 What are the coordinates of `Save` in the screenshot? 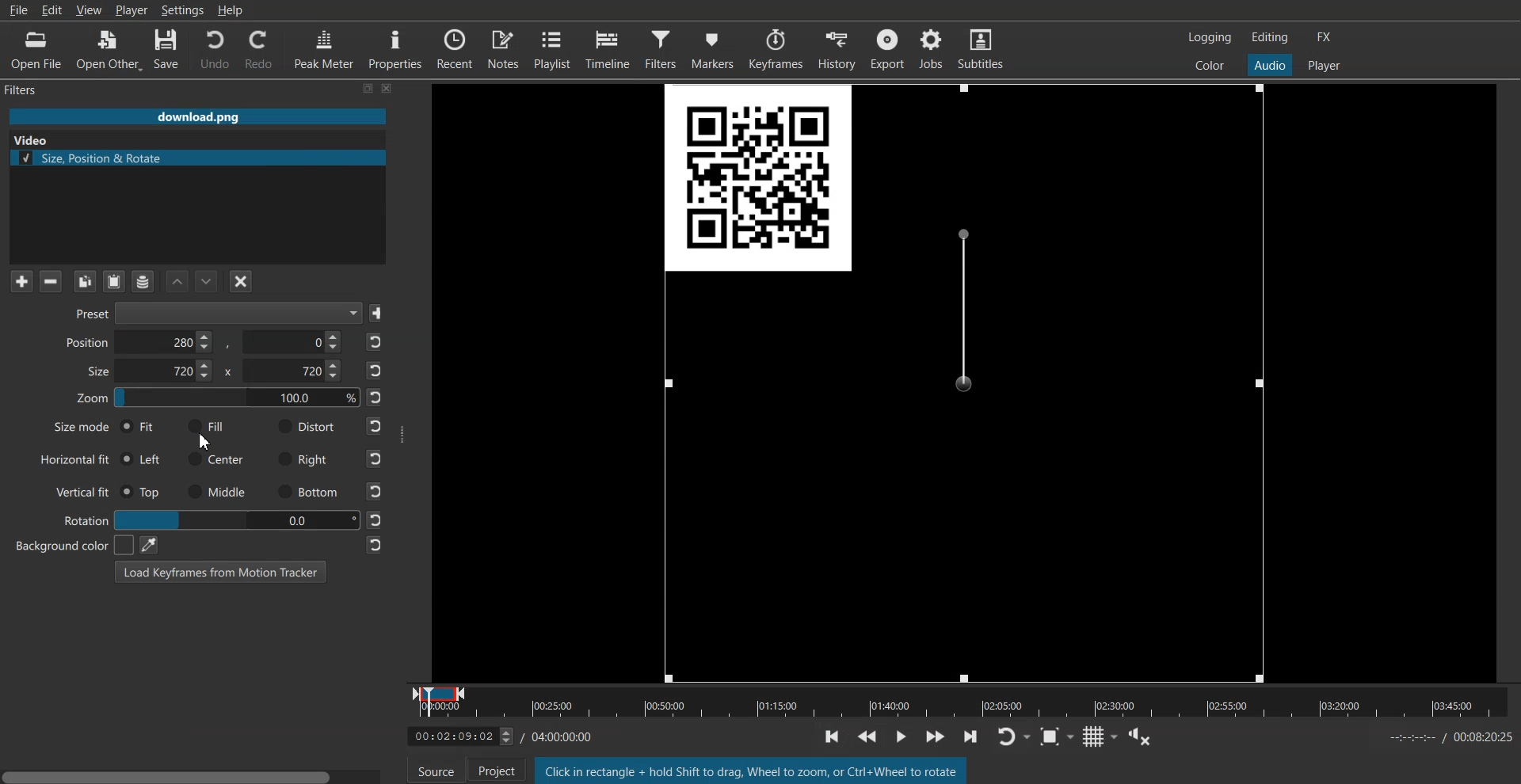 It's located at (169, 49).